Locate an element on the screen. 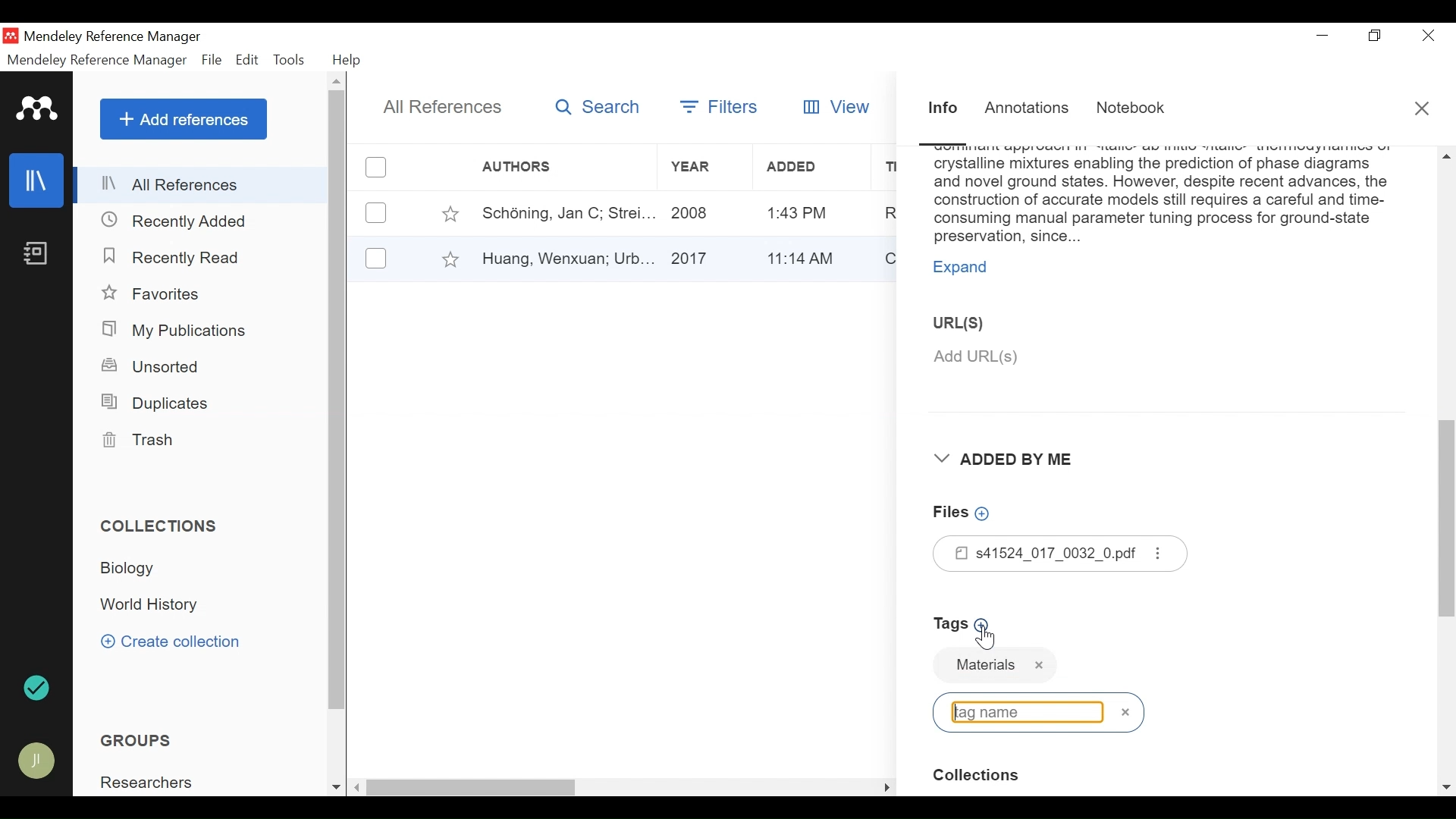 Image resolution: width=1456 pixels, height=819 pixels. Added is located at coordinates (808, 168).